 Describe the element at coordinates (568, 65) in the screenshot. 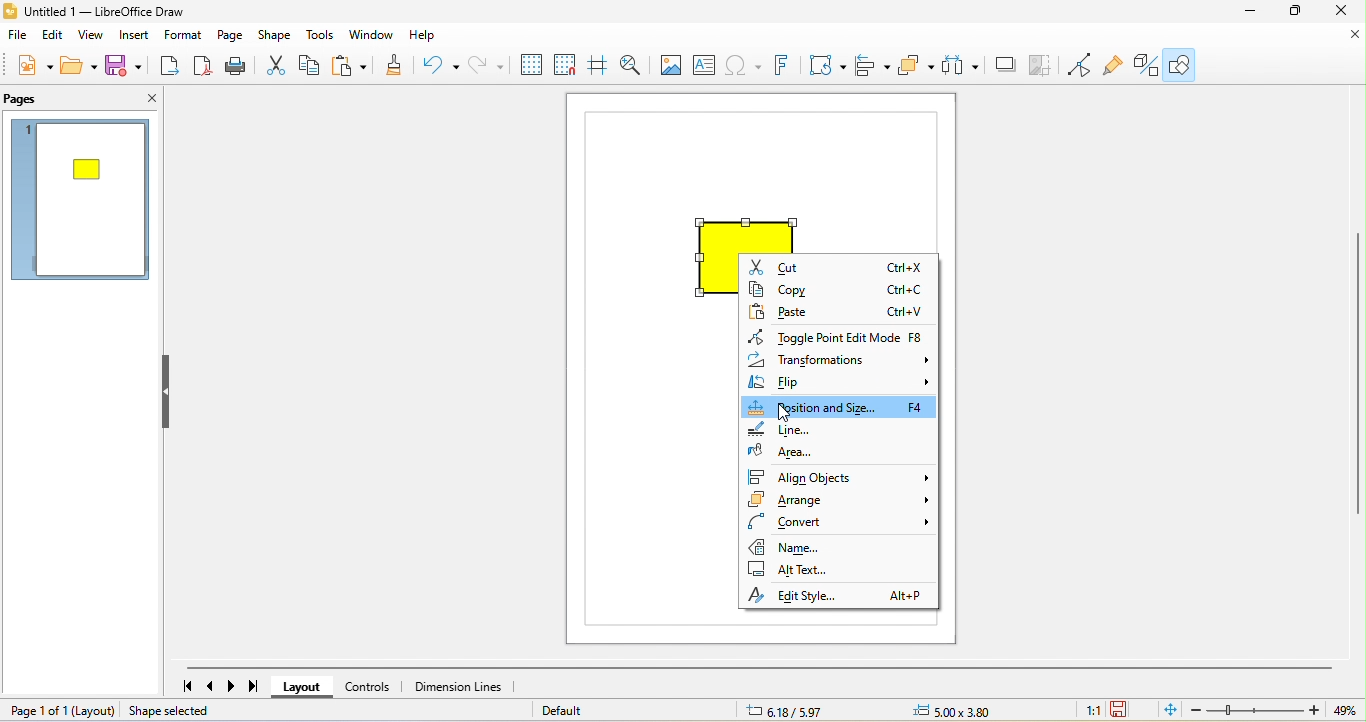

I see `snap to grid` at that location.